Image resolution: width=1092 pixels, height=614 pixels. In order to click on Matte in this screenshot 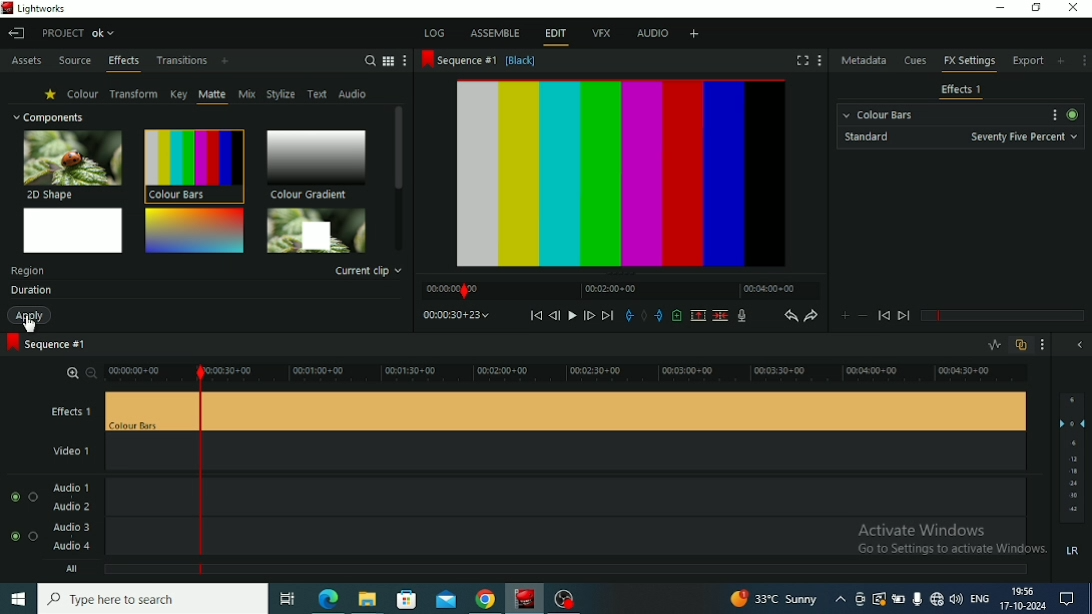, I will do `click(212, 95)`.